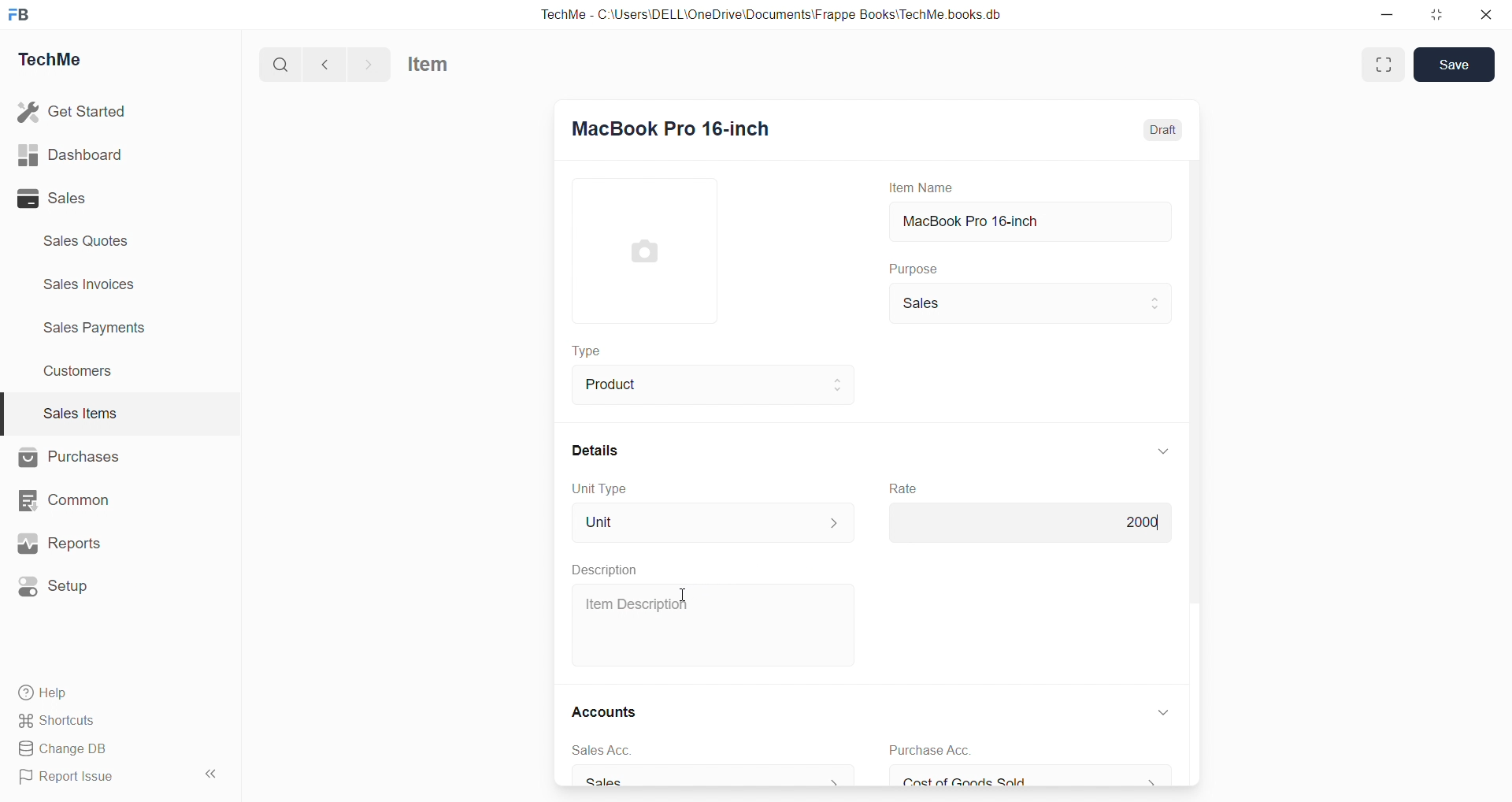  Describe the element at coordinates (428, 64) in the screenshot. I see `Item` at that location.